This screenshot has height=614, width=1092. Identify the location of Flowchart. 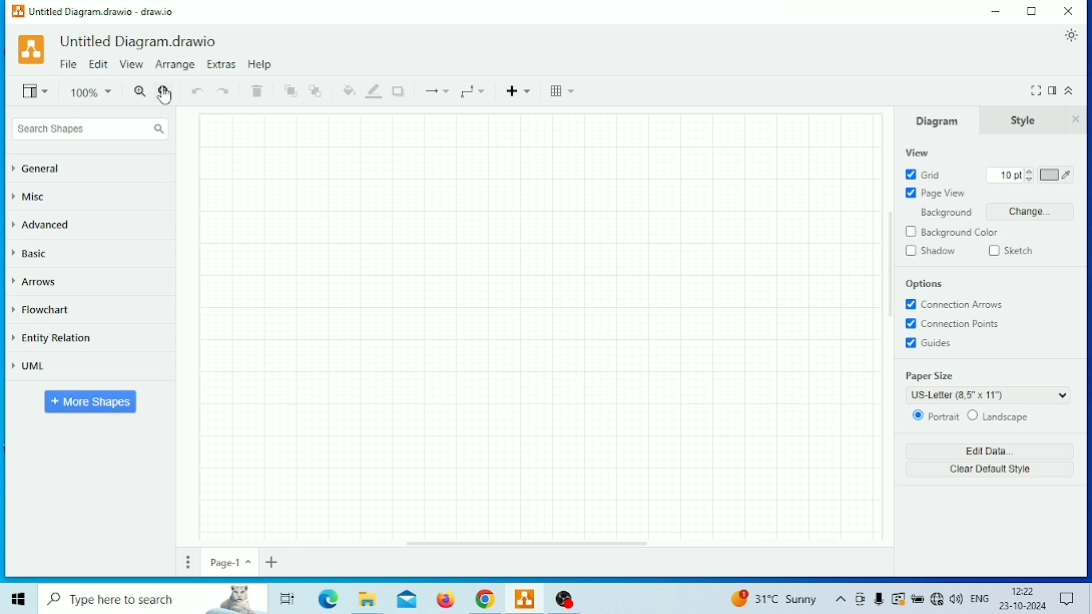
(41, 309).